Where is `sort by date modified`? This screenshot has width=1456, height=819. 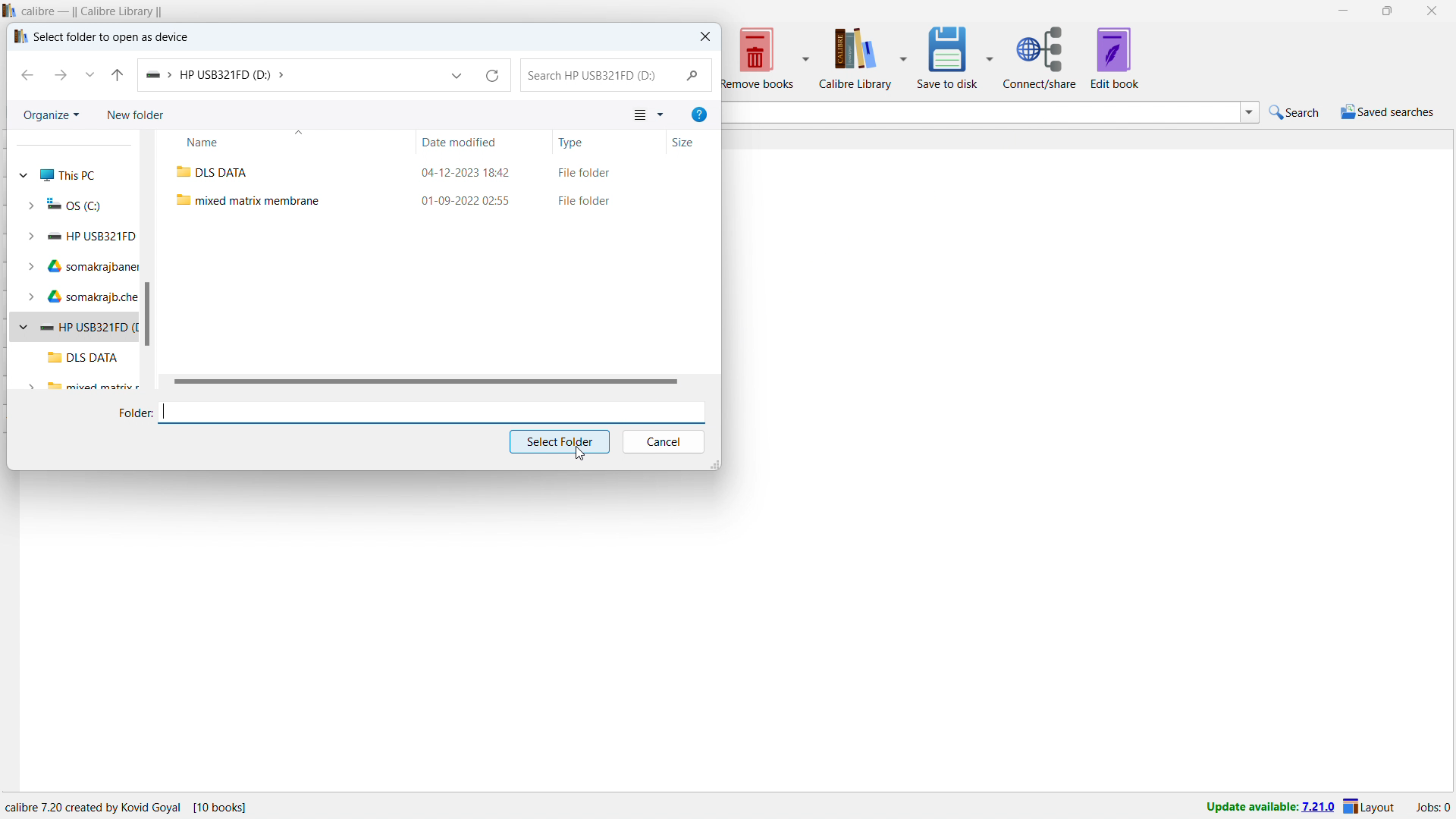 sort by date modified is located at coordinates (484, 140).